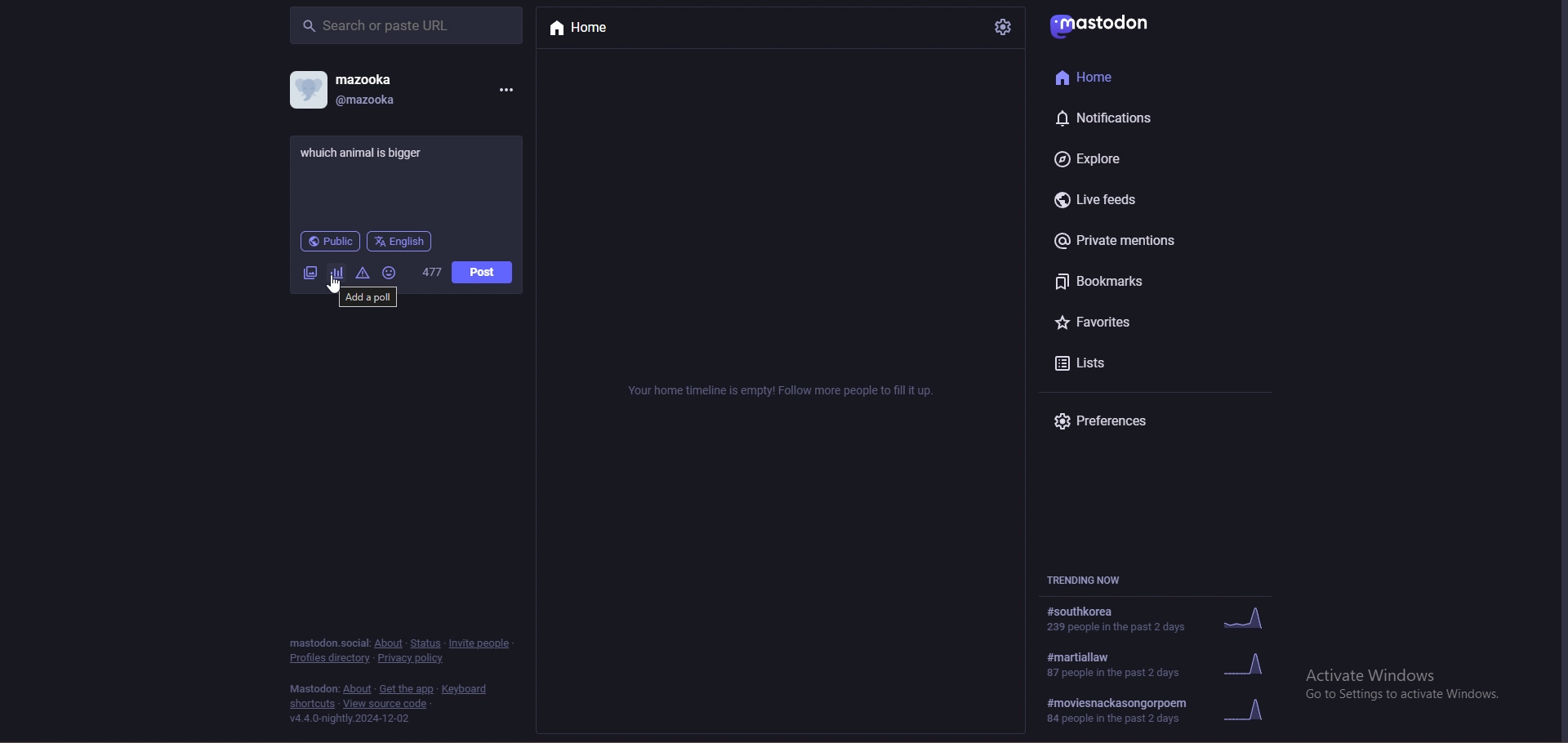 The image size is (1568, 743). I want to click on privacy policy, so click(413, 658).